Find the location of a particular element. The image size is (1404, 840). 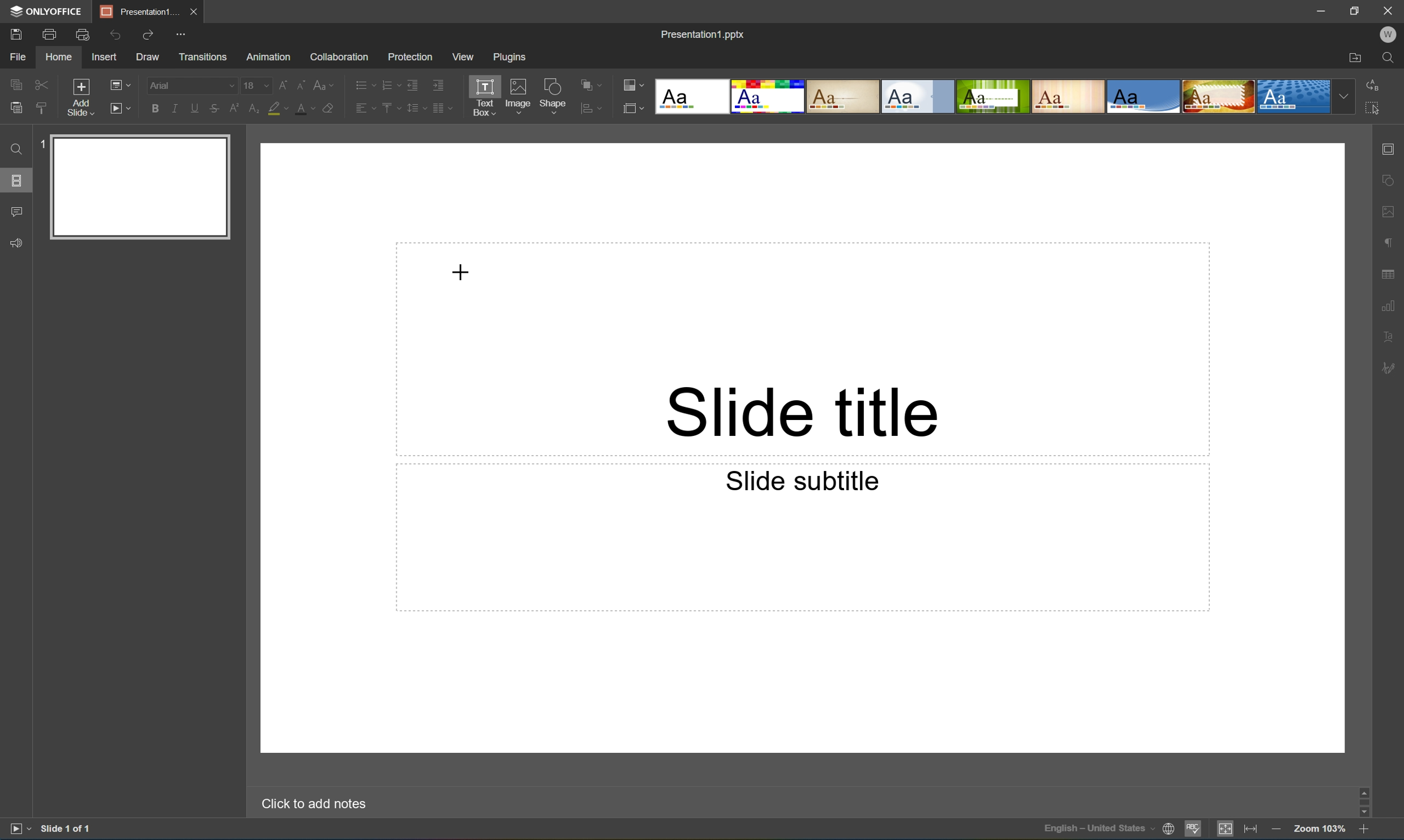

Redo is located at coordinates (149, 36).